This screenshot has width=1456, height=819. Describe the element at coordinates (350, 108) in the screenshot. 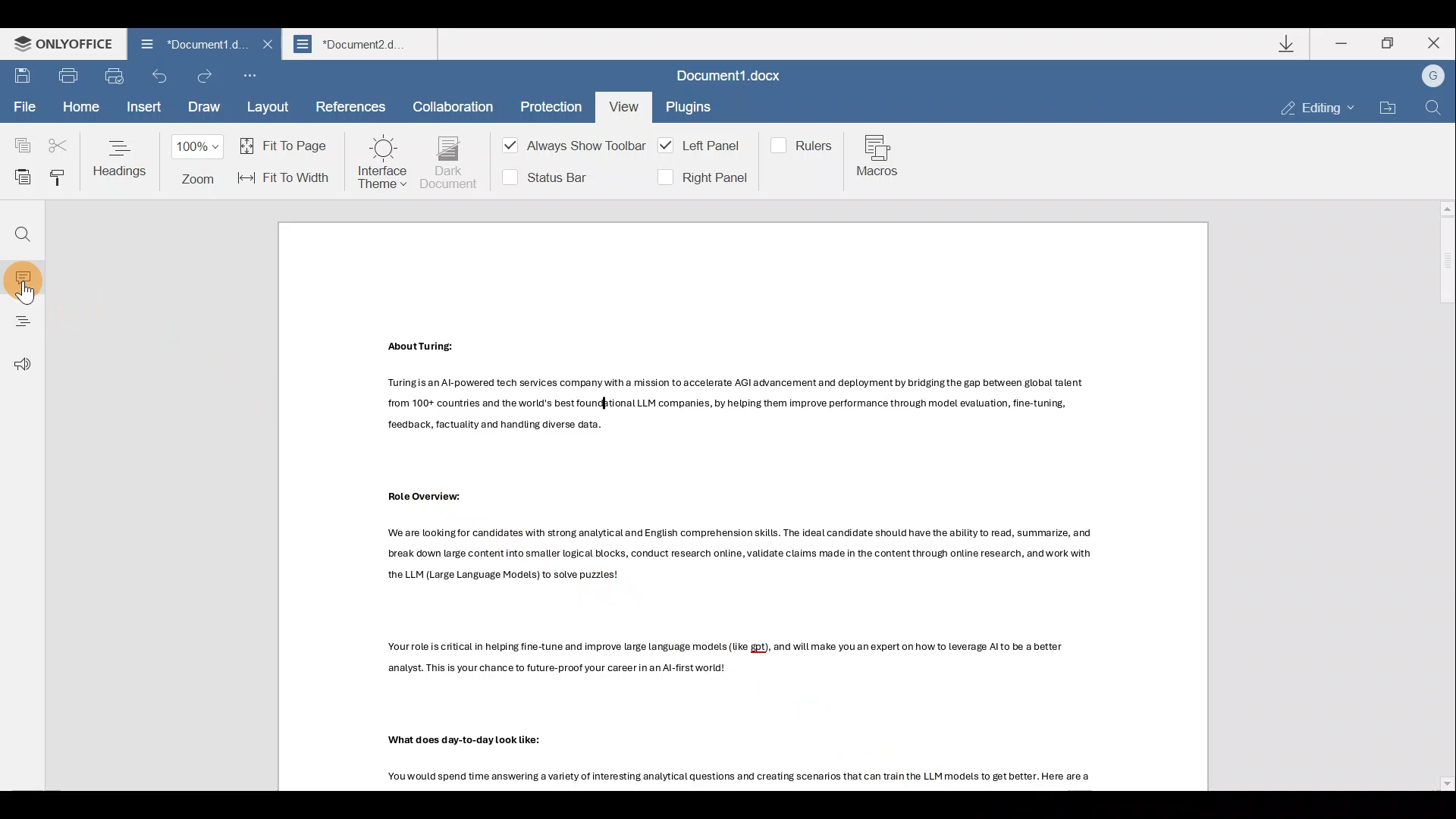

I see `References` at that location.